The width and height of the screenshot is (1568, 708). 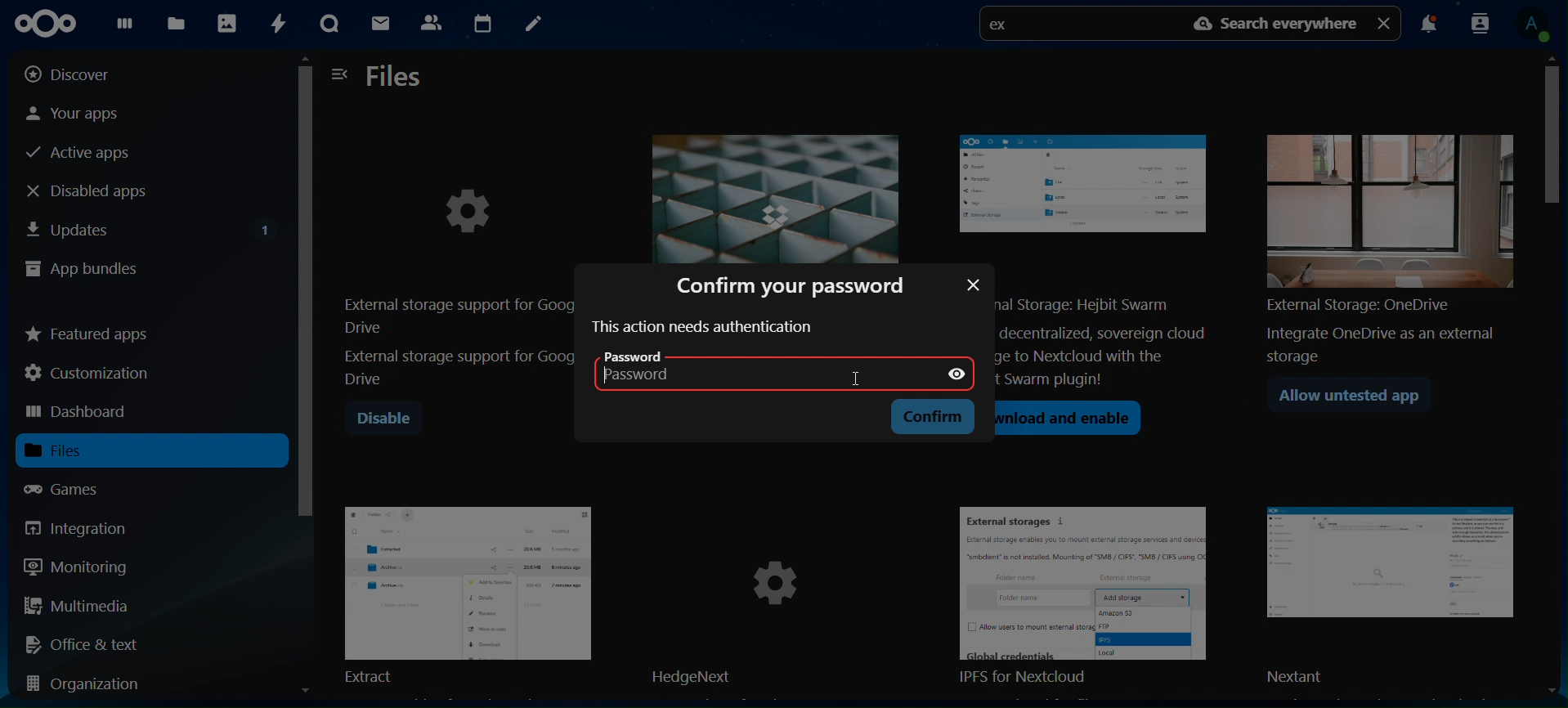 What do you see at coordinates (91, 373) in the screenshot?
I see `customization` at bounding box center [91, 373].